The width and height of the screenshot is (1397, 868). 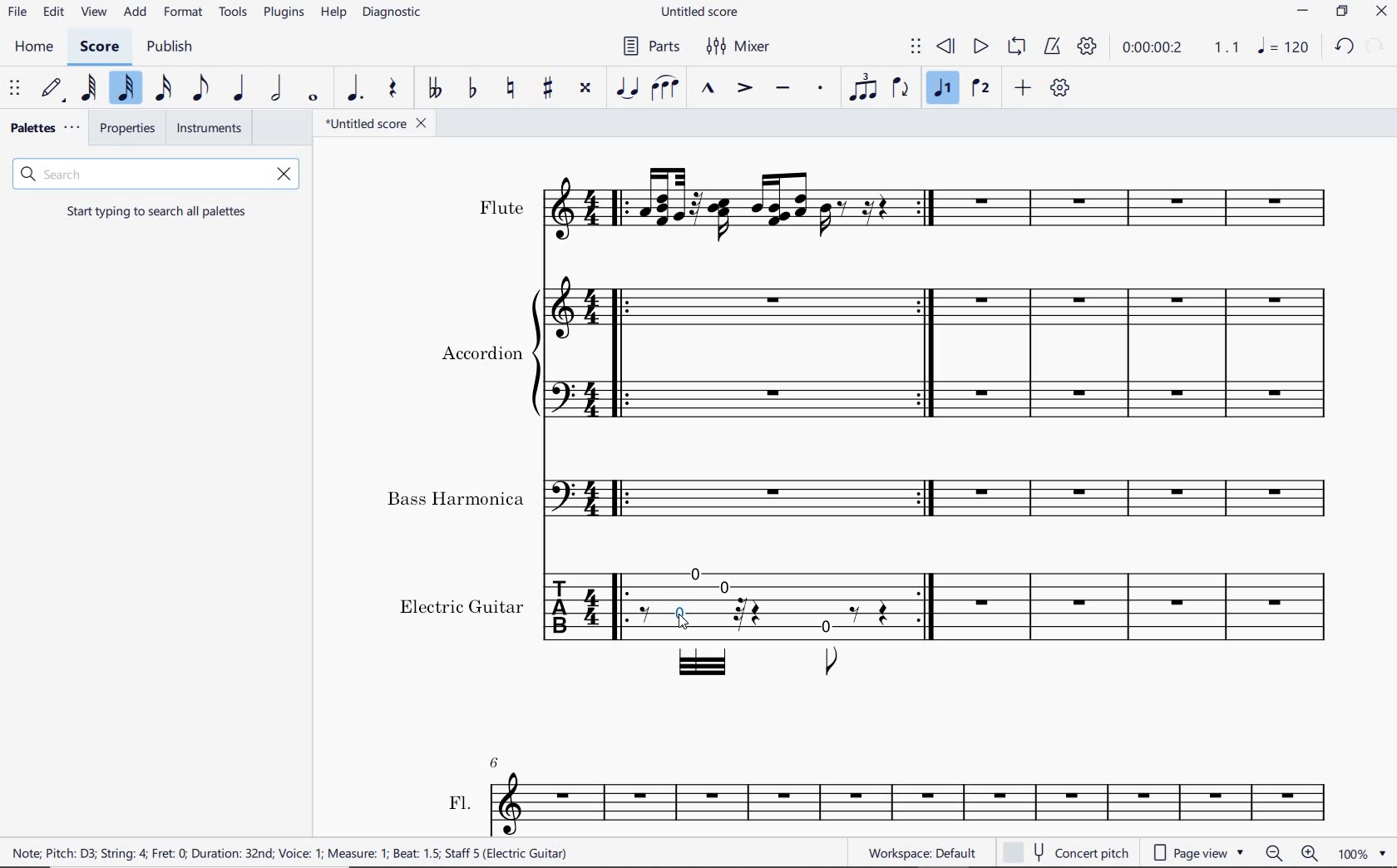 What do you see at coordinates (1016, 47) in the screenshot?
I see `loop playback` at bounding box center [1016, 47].